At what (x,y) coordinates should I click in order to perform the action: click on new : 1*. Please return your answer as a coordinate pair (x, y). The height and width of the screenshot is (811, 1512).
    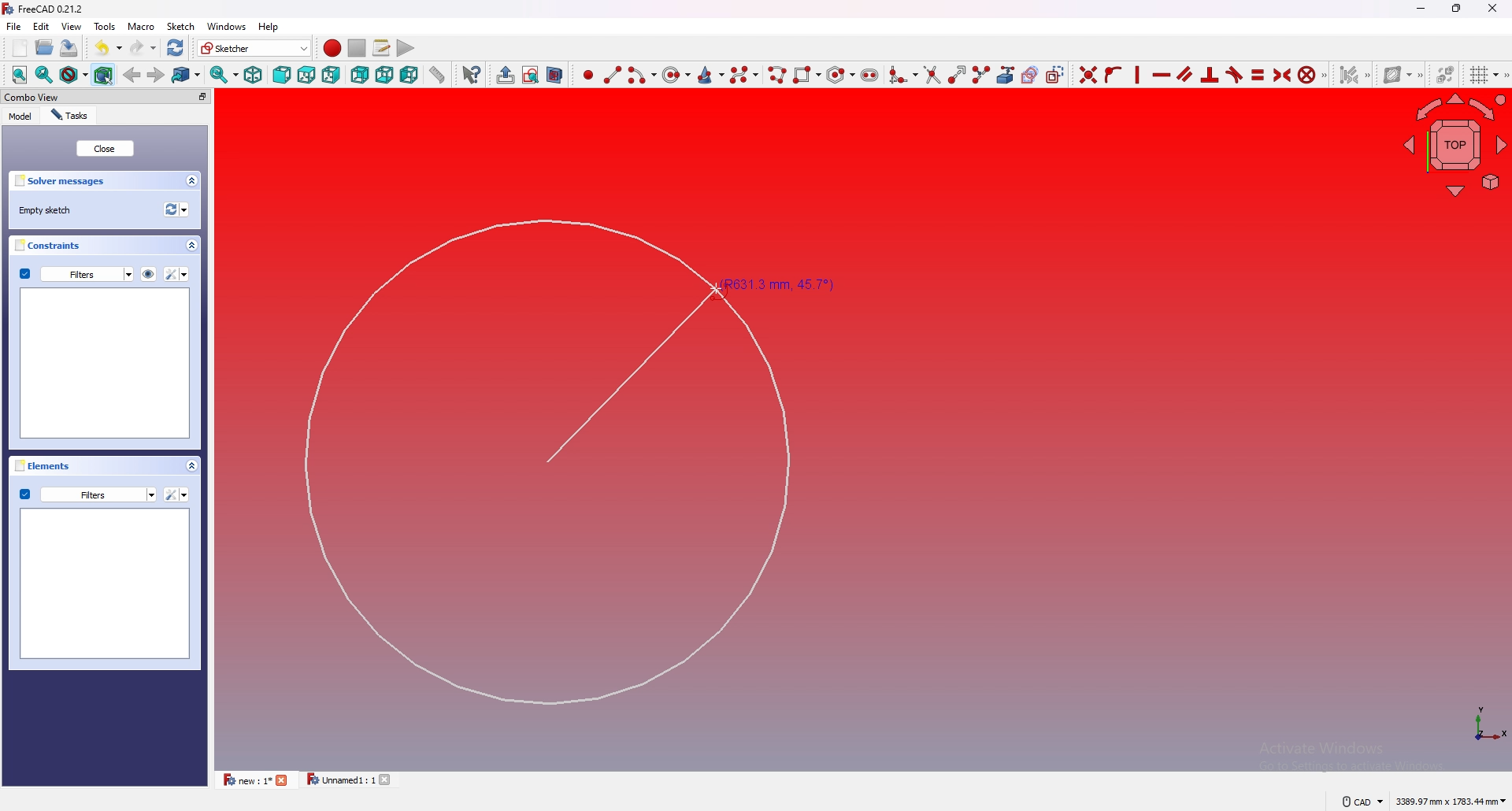
    Looking at the image, I should click on (246, 780).